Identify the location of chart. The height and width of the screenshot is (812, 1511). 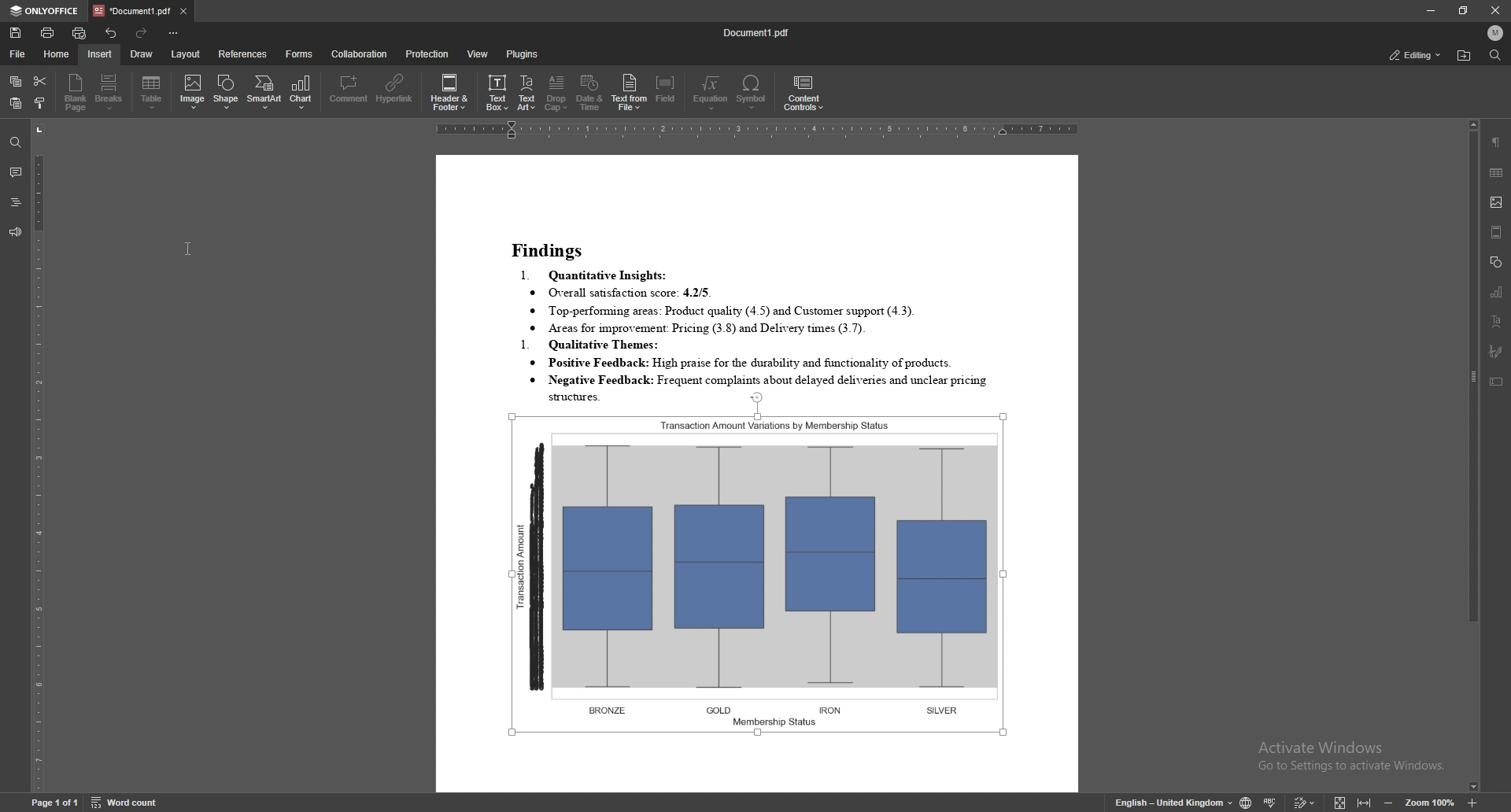
(302, 90).